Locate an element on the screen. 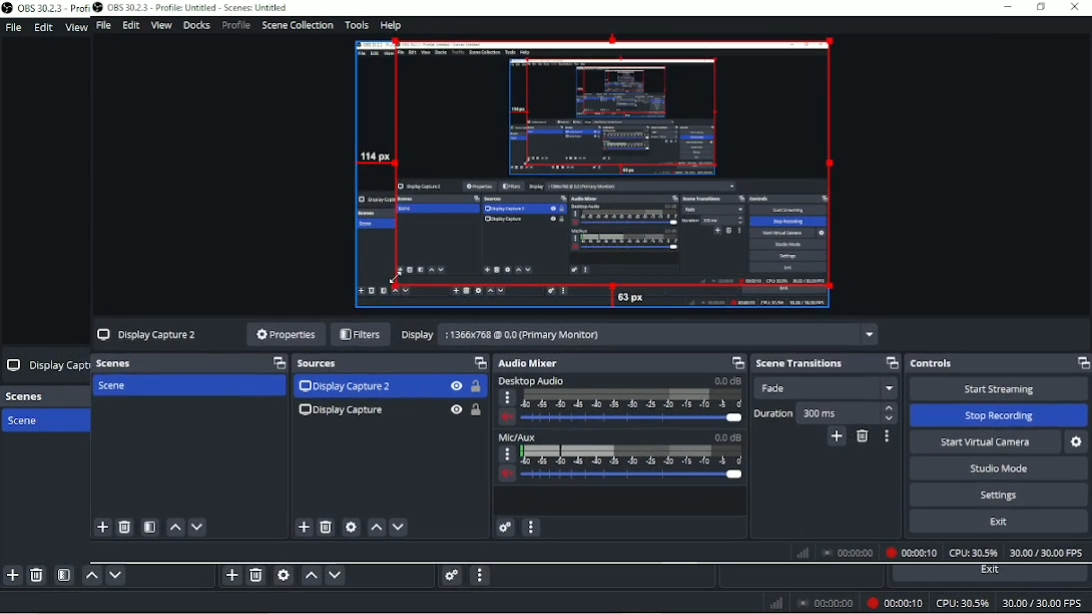 This screenshot has height=614, width=1092. Scene transitions is located at coordinates (805, 364).